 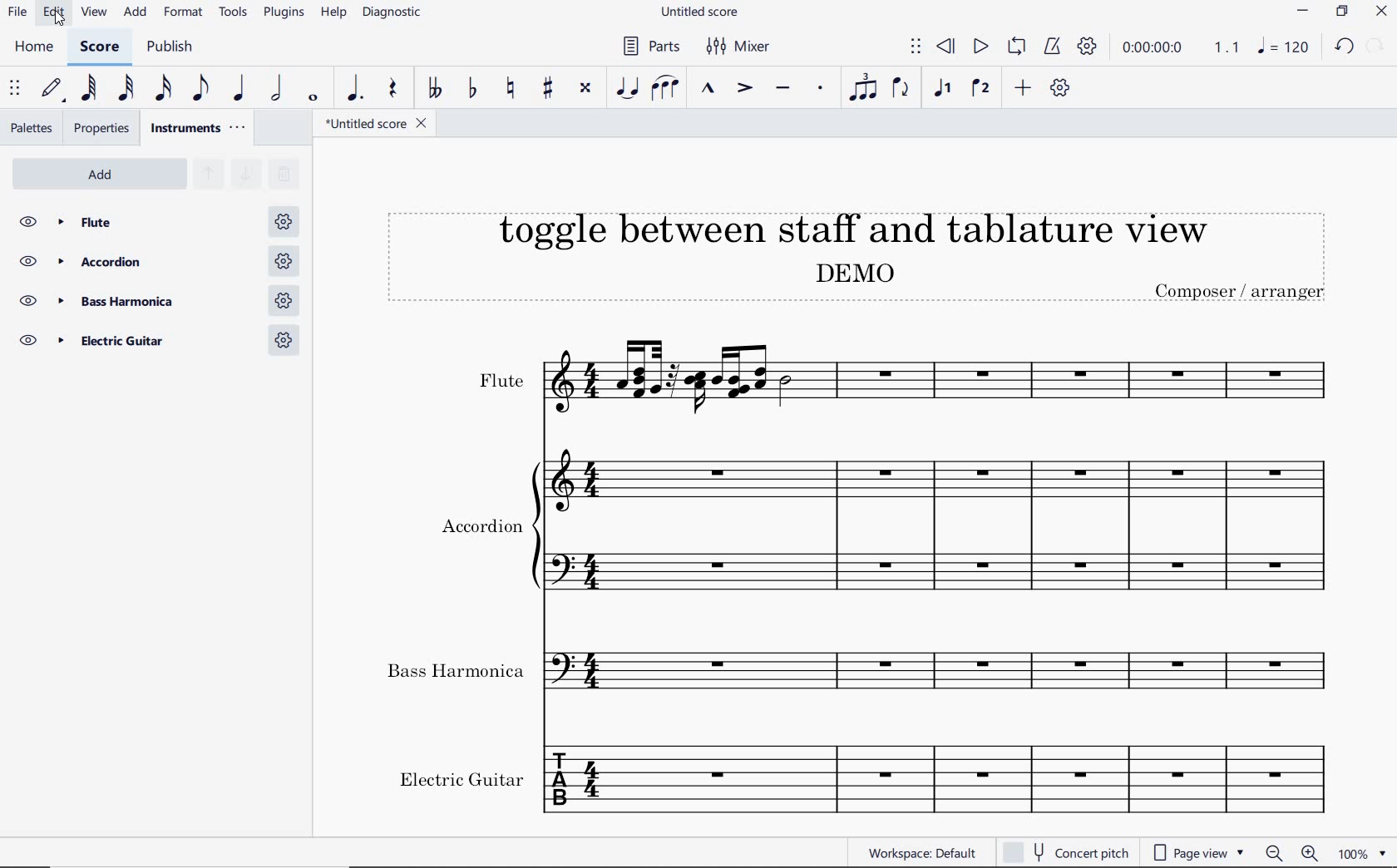 I want to click on accent, so click(x=745, y=89).